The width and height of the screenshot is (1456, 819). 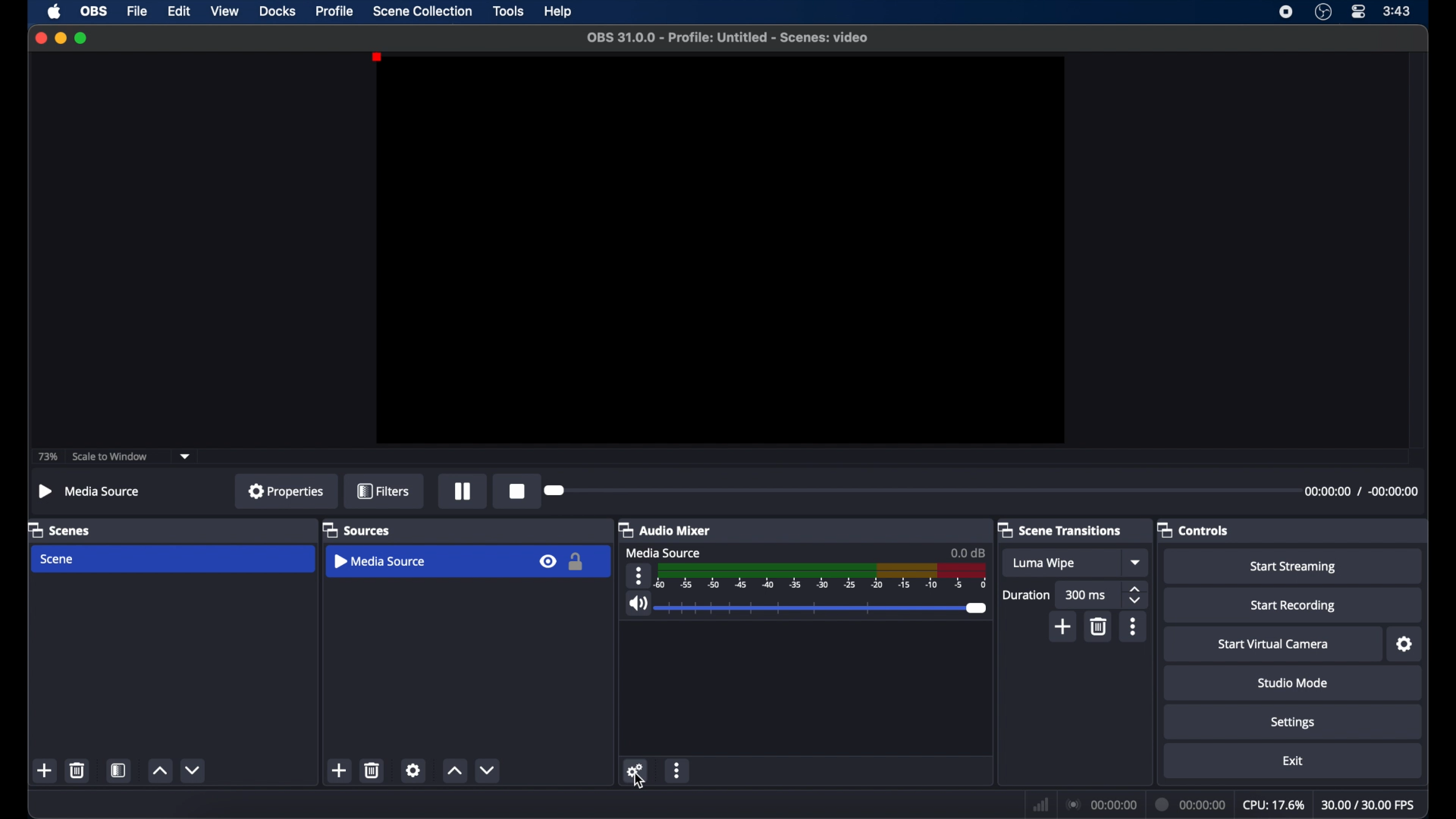 What do you see at coordinates (726, 38) in the screenshot?
I see `OBS 31.0.0 - Profile: Untitled - Scenes: video` at bounding box center [726, 38].